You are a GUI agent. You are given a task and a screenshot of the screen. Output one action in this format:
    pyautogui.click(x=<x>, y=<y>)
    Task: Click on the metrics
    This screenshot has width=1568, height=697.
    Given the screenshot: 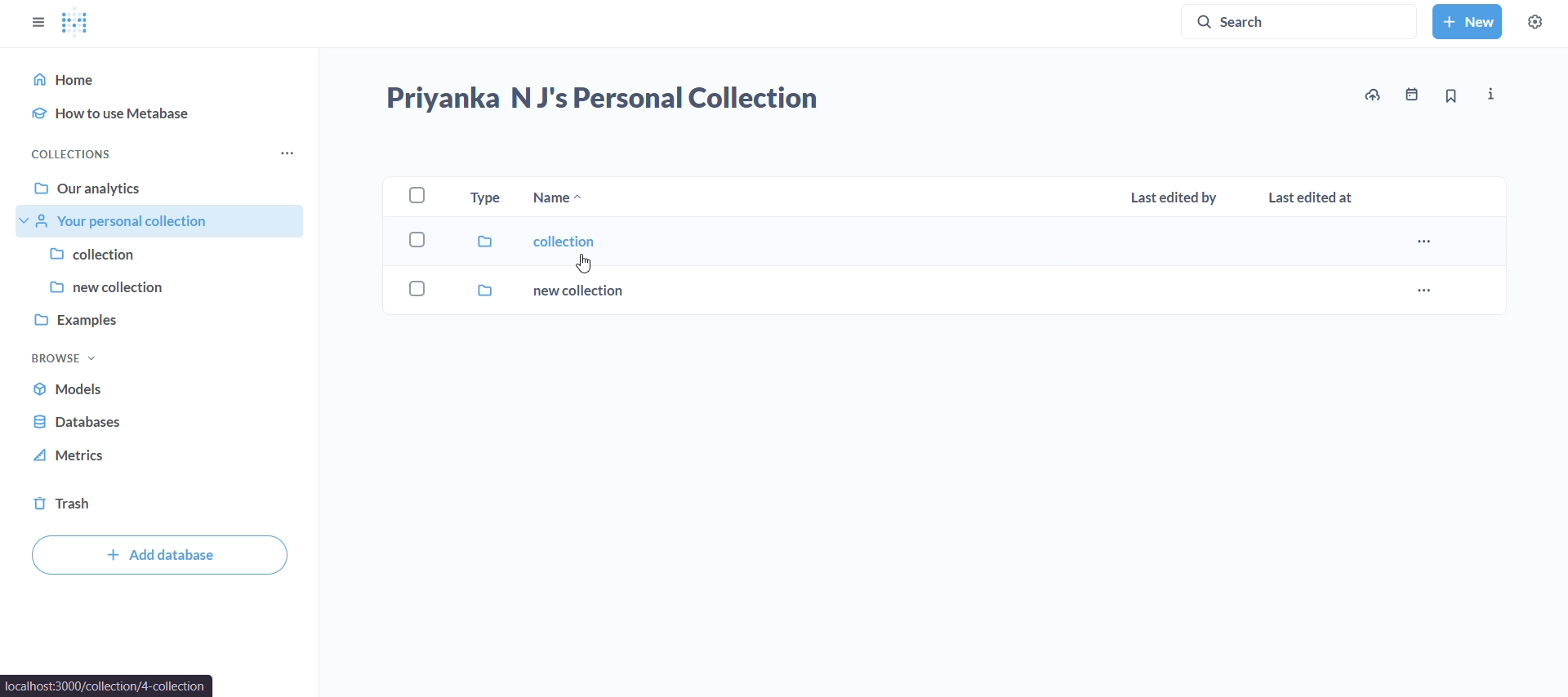 What is the action you would take?
    pyautogui.click(x=74, y=456)
    